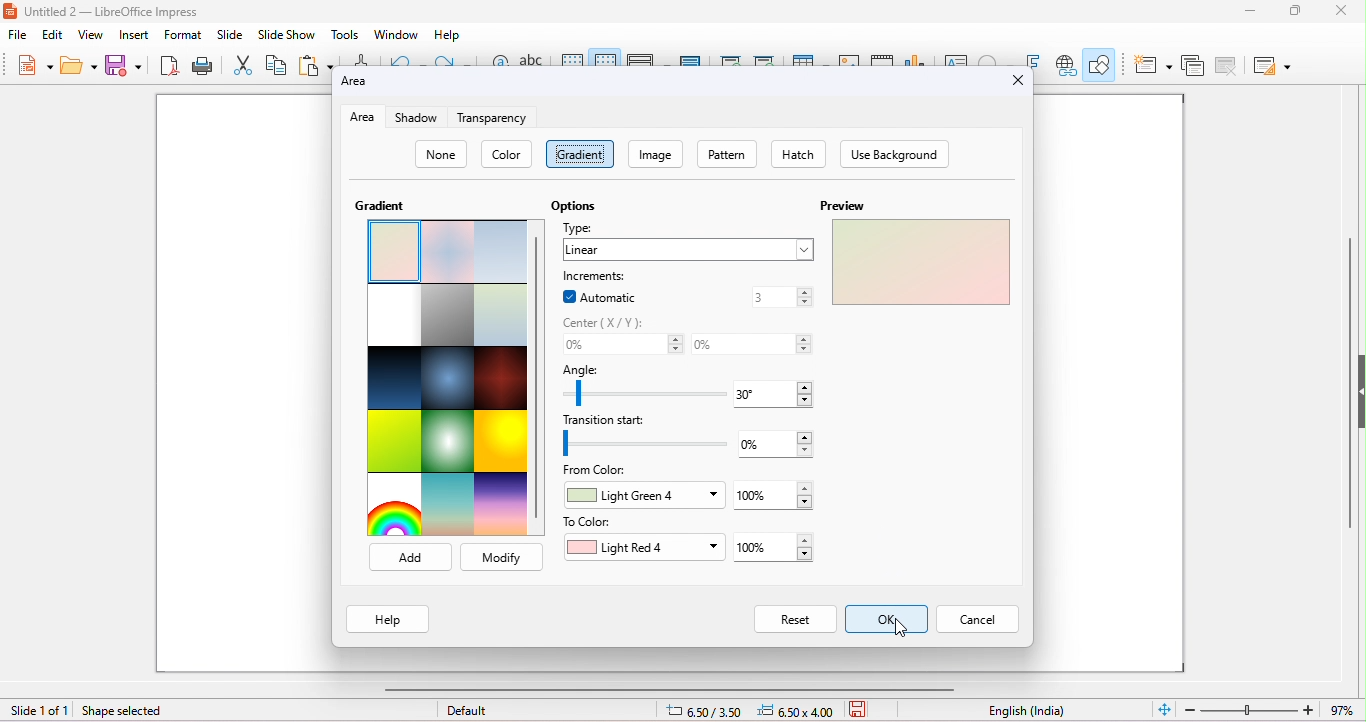 This screenshot has width=1366, height=722. Describe the element at coordinates (780, 297) in the screenshot. I see `3` at that location.